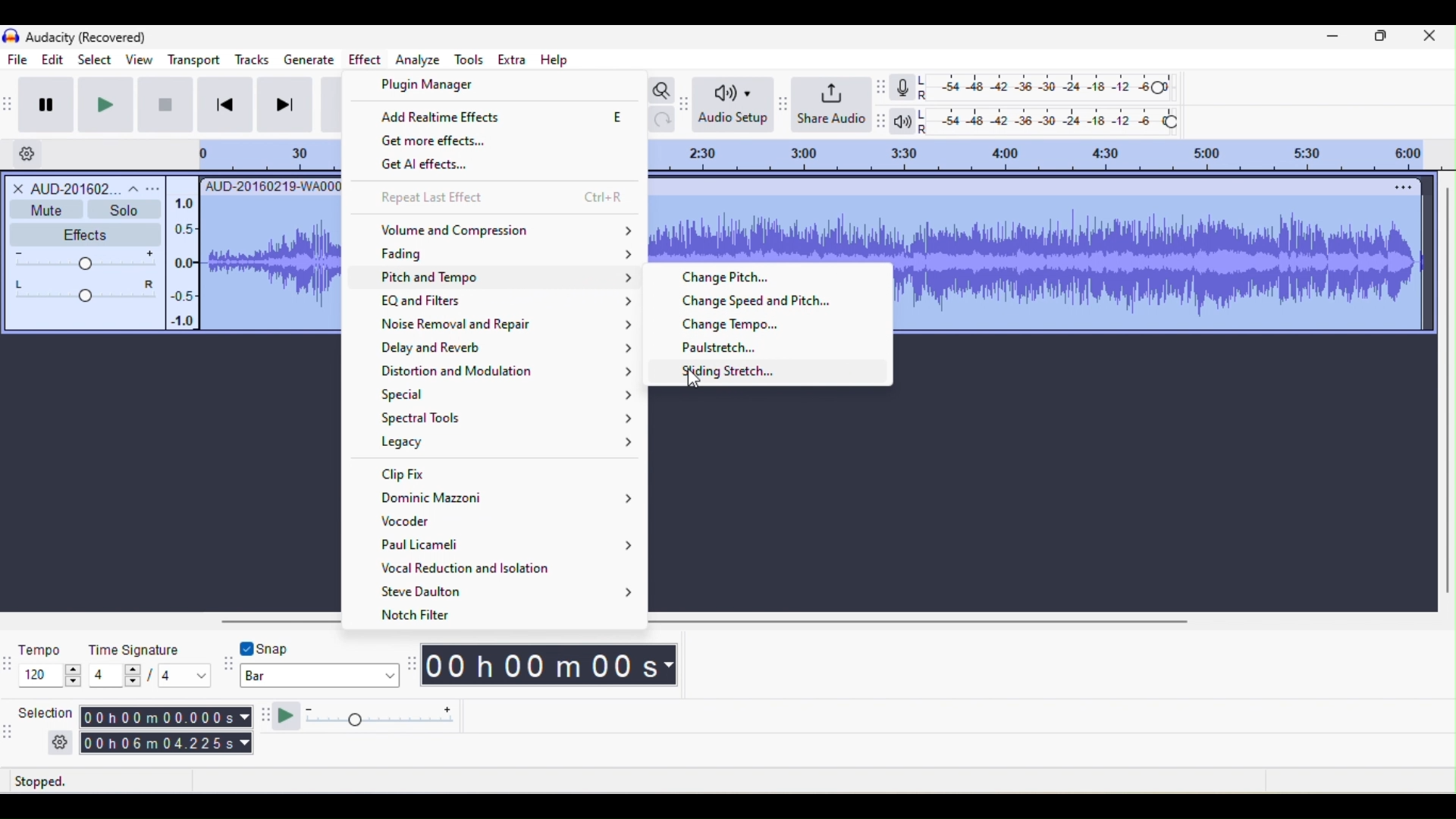 Image resolution: width=1456 pixels, height=819 pixels. Describe the element at coordinates (292, 647) in the screenshot. I see `snap` at that location.